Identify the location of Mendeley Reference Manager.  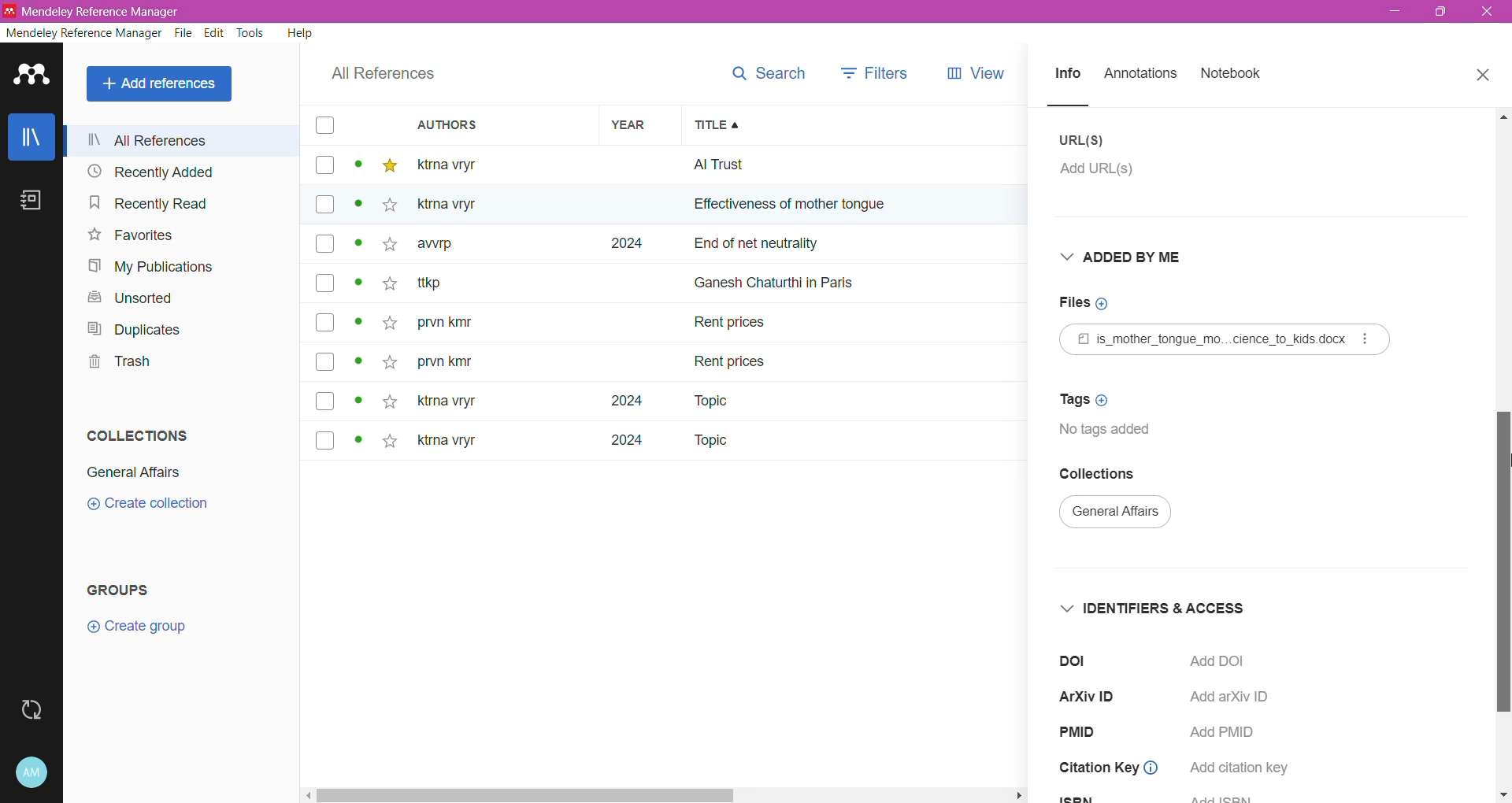
(83, 33).